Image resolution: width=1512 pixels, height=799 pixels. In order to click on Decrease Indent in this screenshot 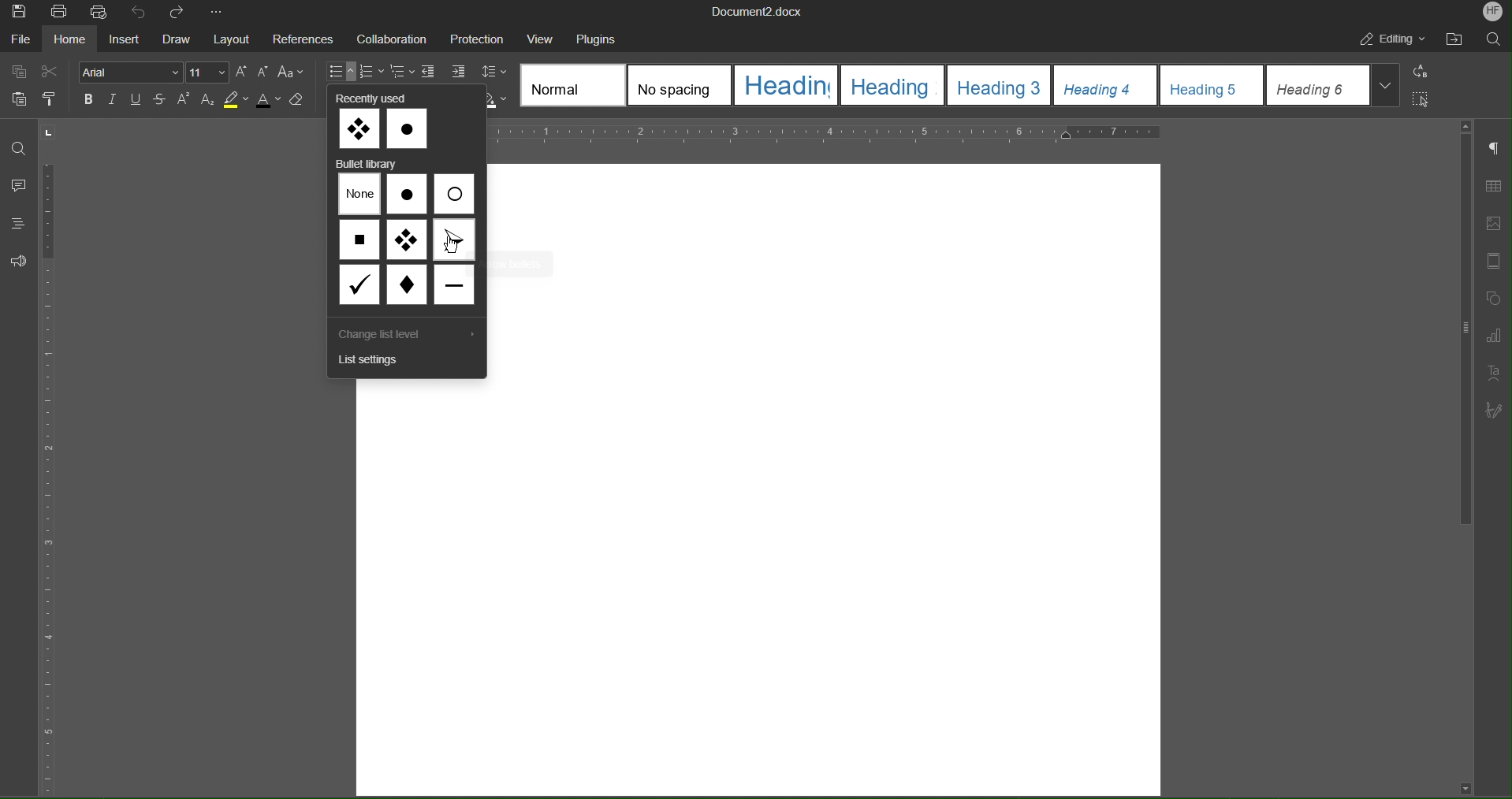, I will do `click(430, 70)`.